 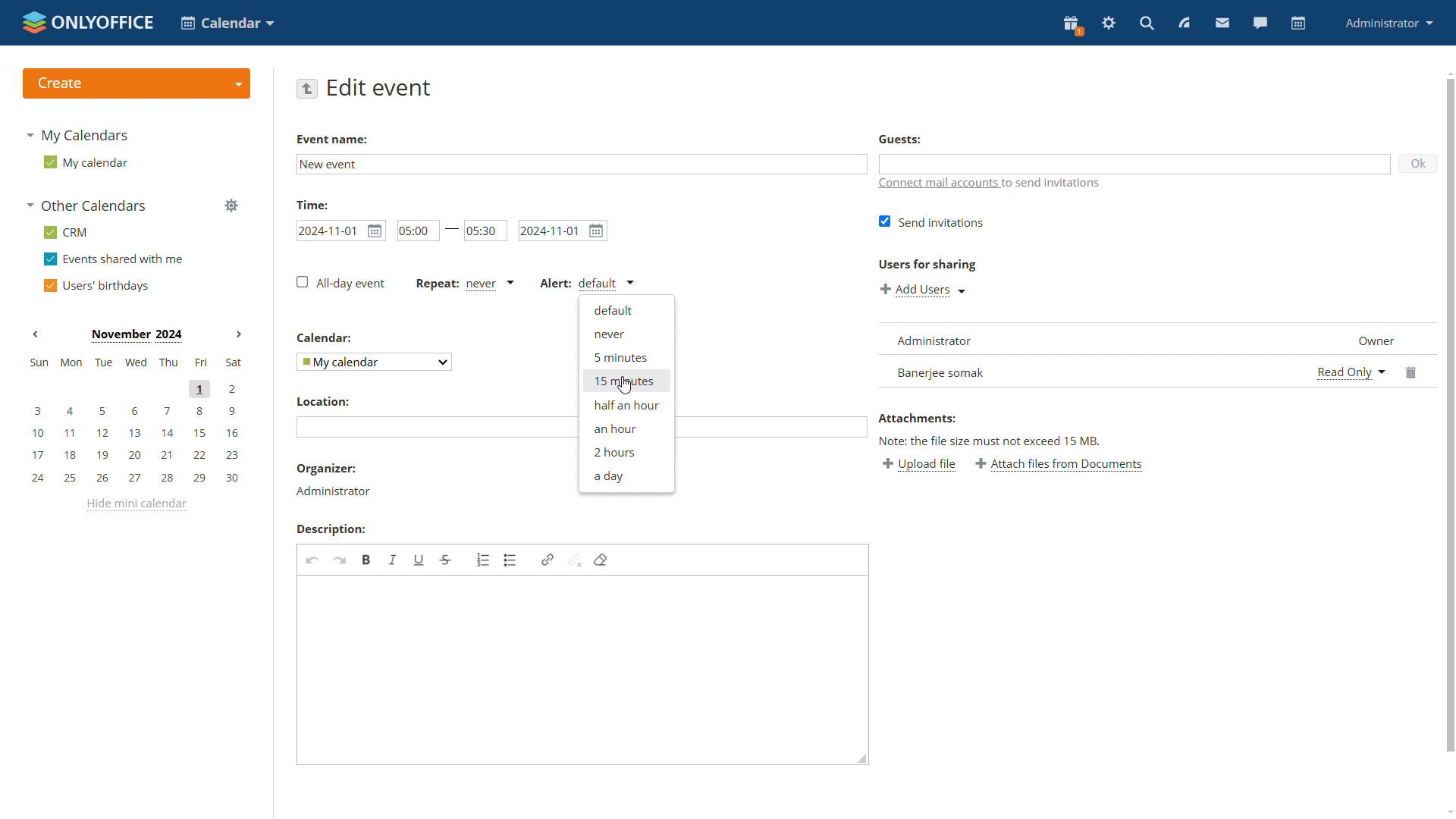 What do you see at coordinates (1451, 414) in the screenshot?
I see `scrollbar` at bounding box center [1451, 414].